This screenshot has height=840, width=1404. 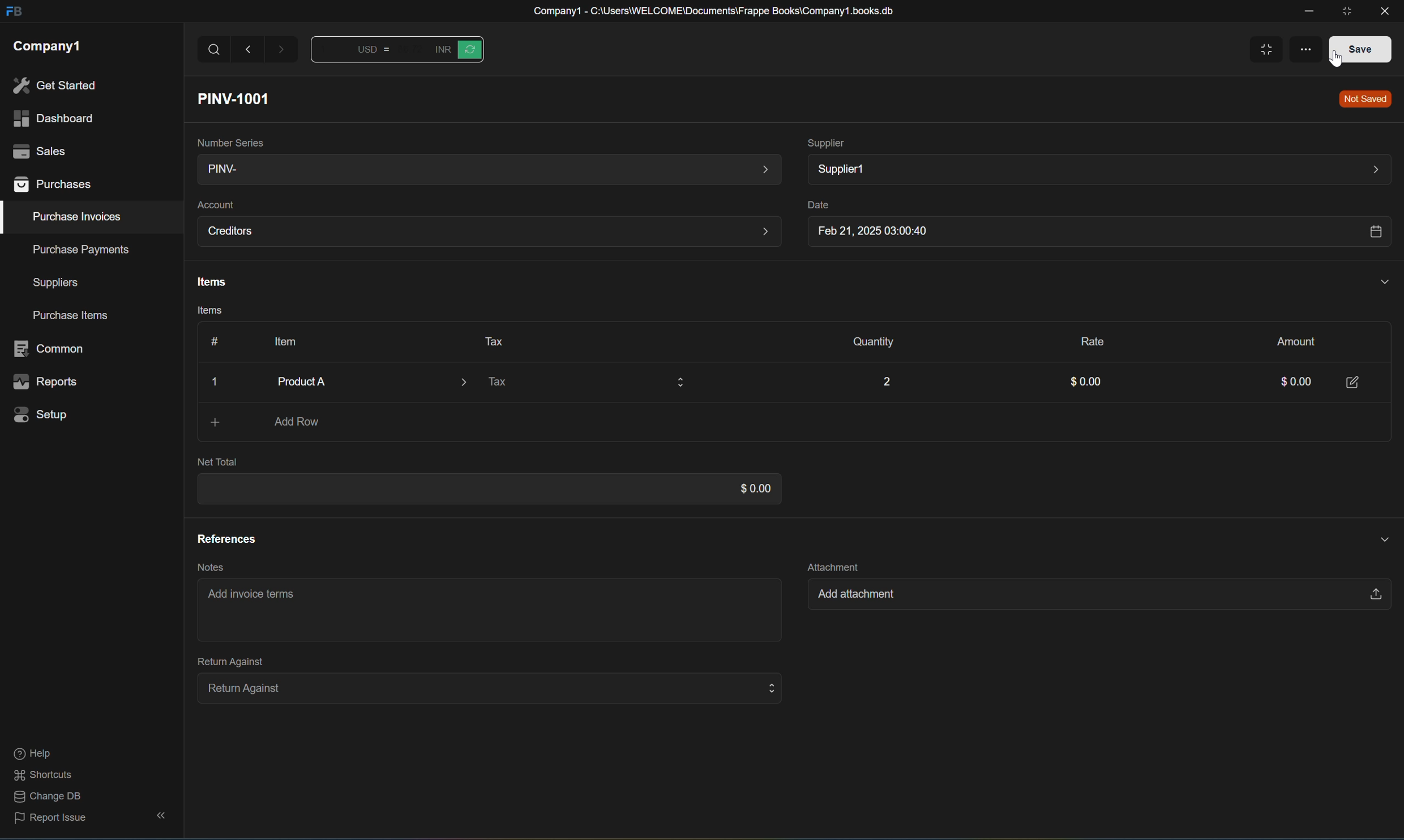 What do you see at coordinates (489, 232) in the screenshot?
I see `Creditors` at bounding box center [489, 232].